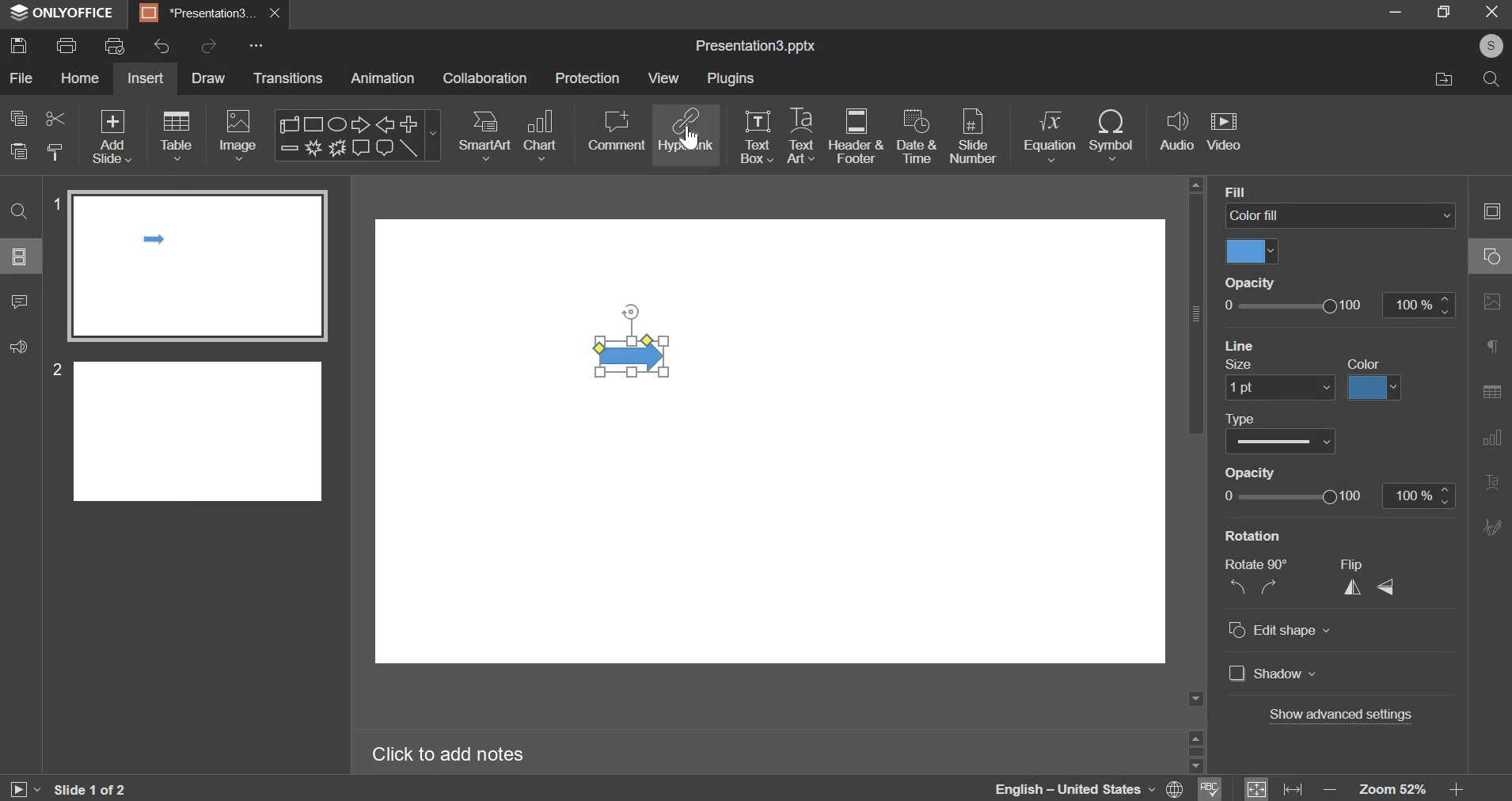  What do you see at coordinates (23, 78) in the screenshot?
I see `file` at bounding box center [23, 78].